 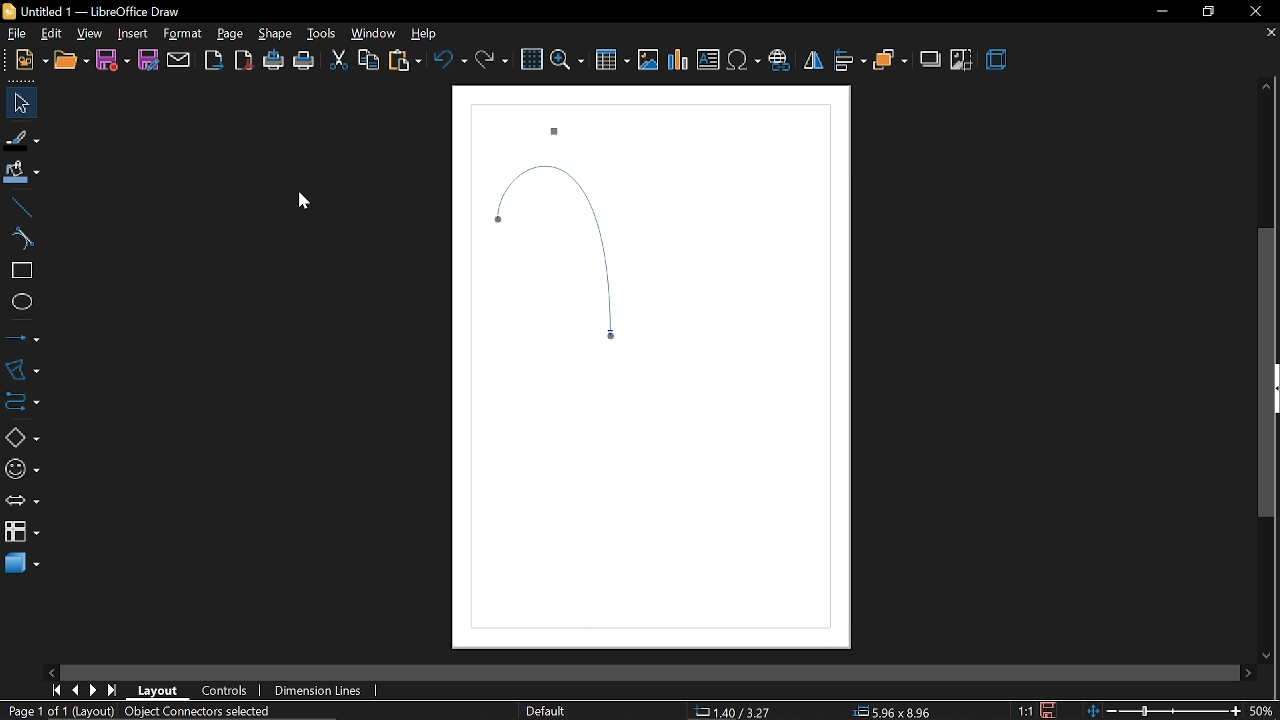 I want to click on Untitled 1 - LibreOffice Draw, so click(x=93, y=11).